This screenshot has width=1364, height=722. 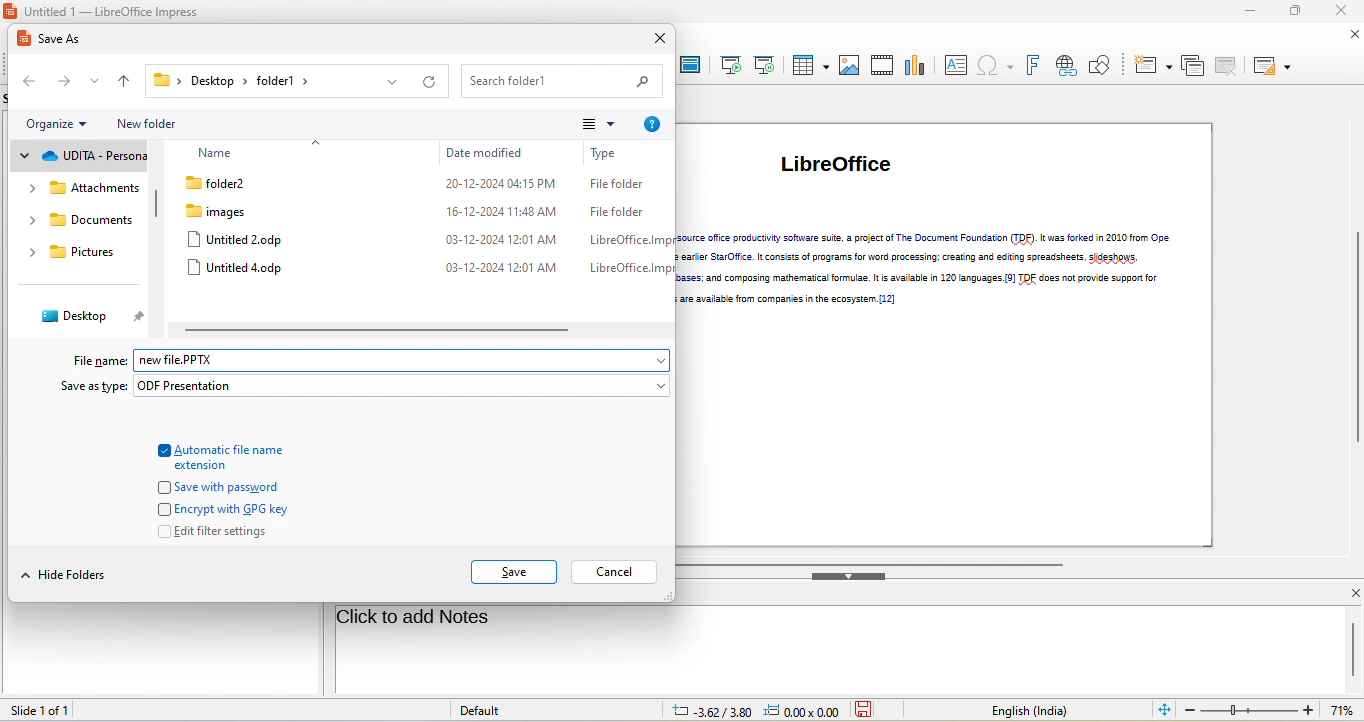 I want to click on font work text, so click(x=1031, y=65).